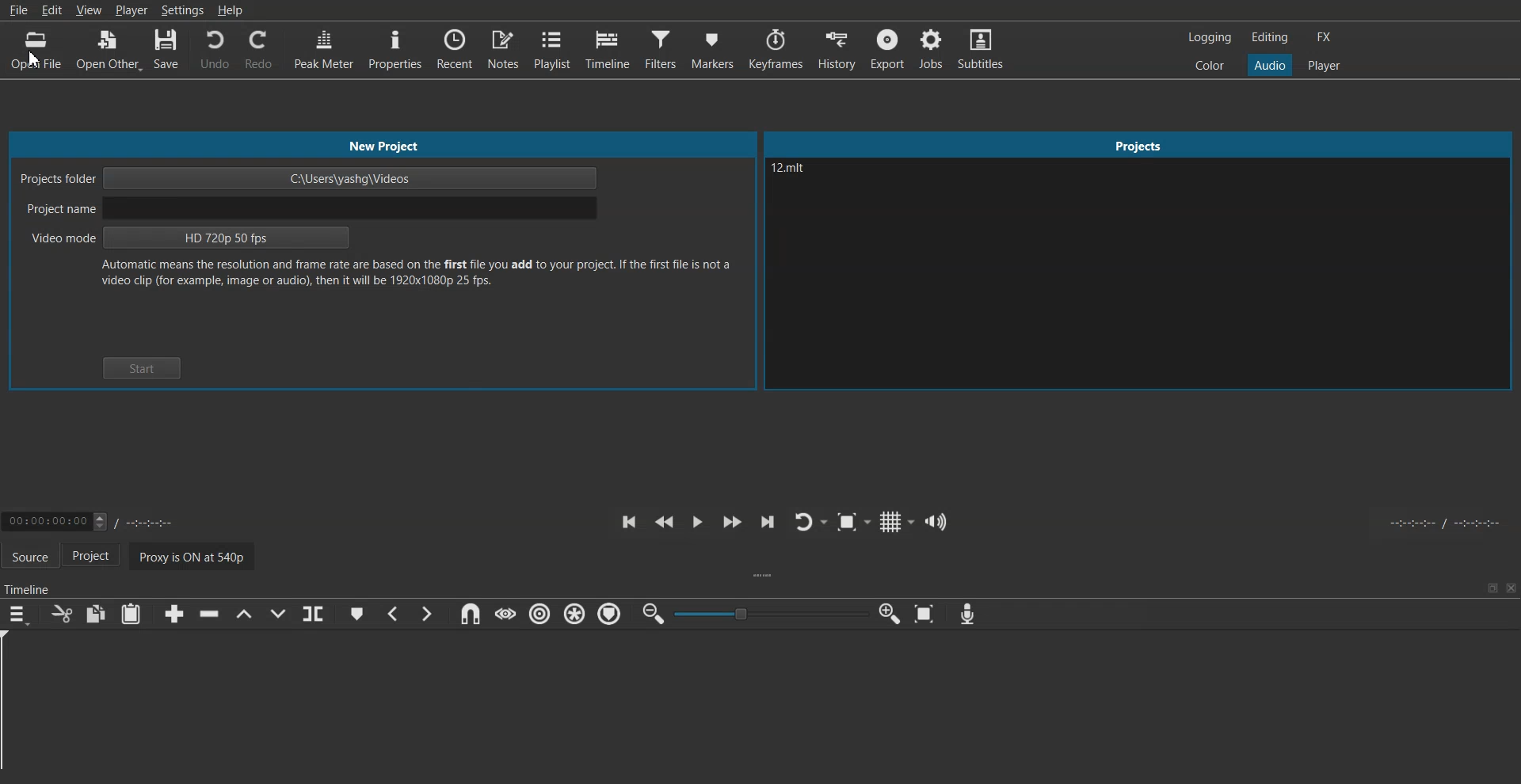  What do you see at coordinates (414, 274) in the screenshot?
I see `Text` at bounding box center [414, 274].